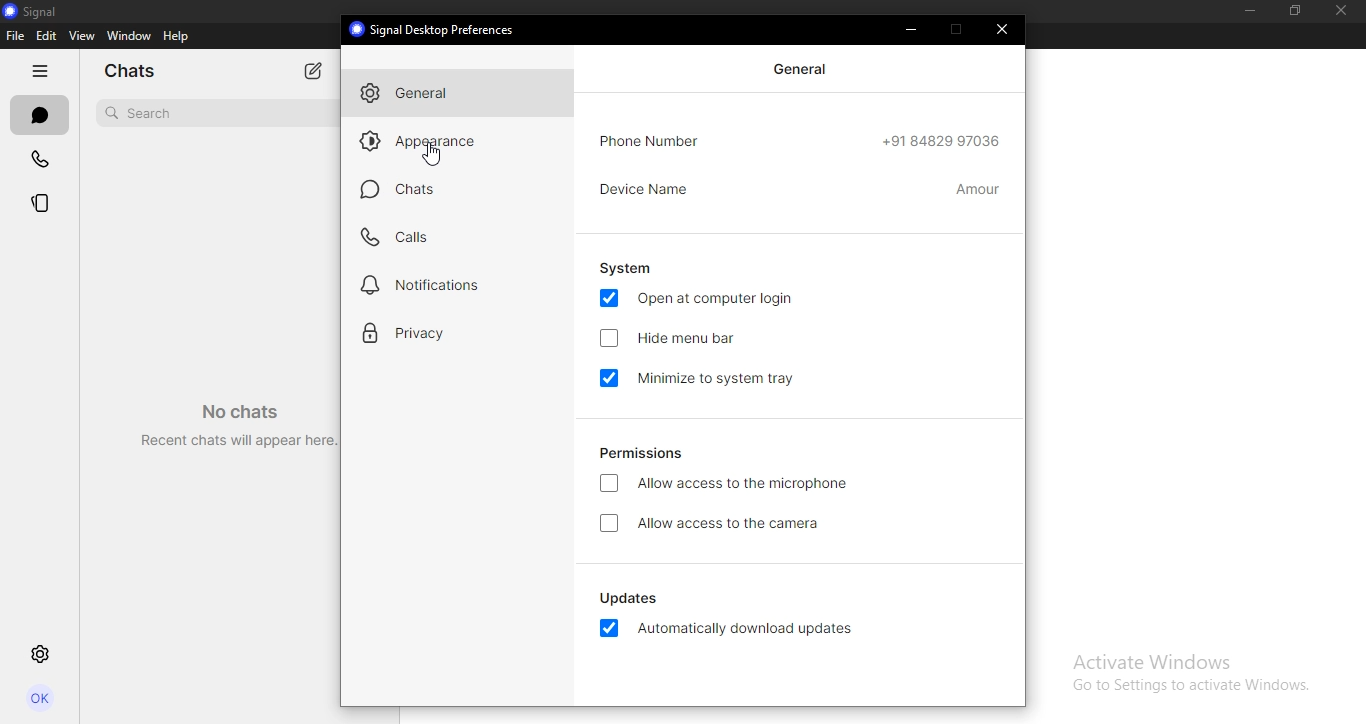 The width and height of the screenshot is (1366, 724). I want to click on open at computer login, so click(703, 297).